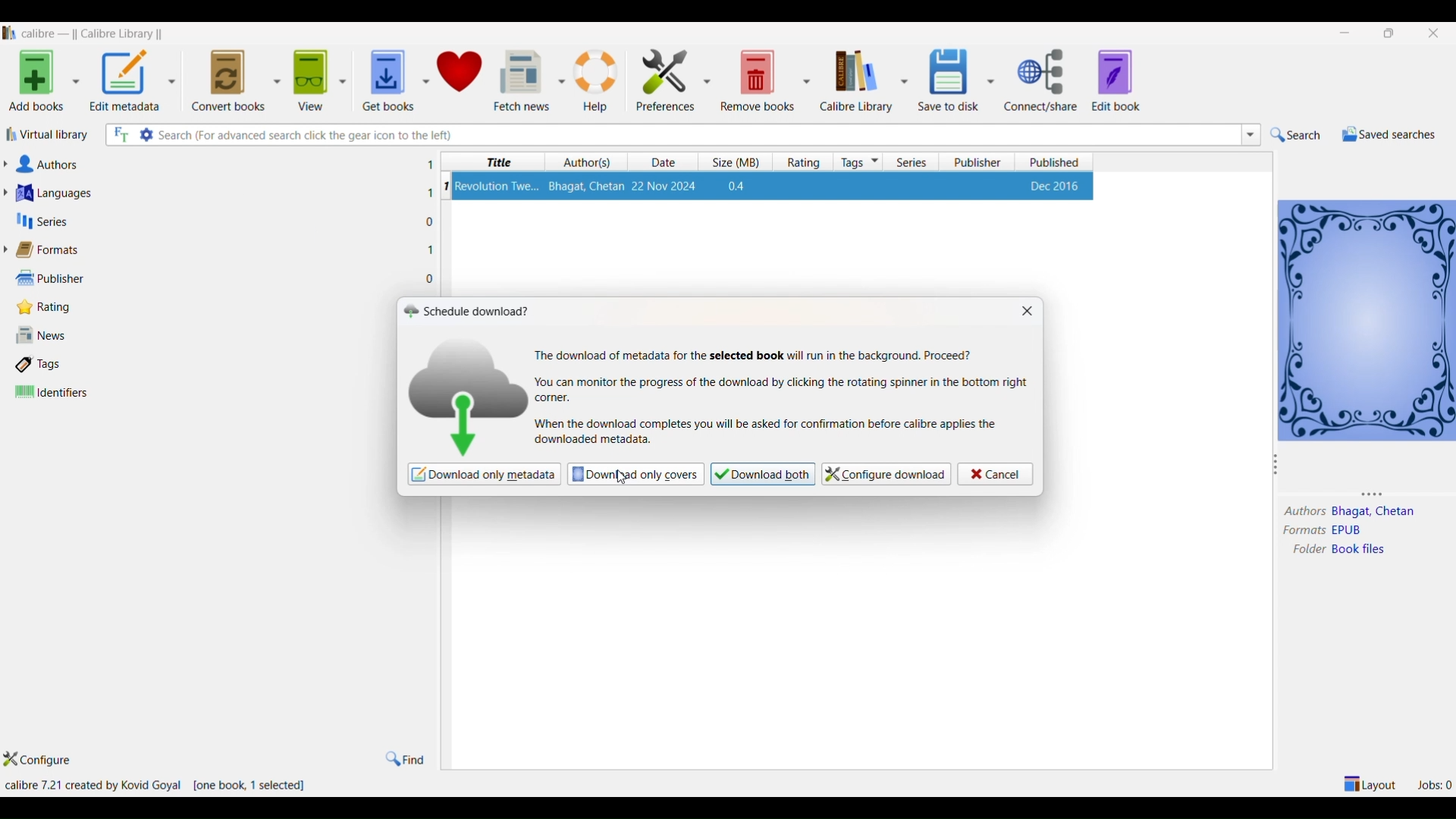 This screenshot has height=819, width=1456. I want to click on 1, so click(429, 193).